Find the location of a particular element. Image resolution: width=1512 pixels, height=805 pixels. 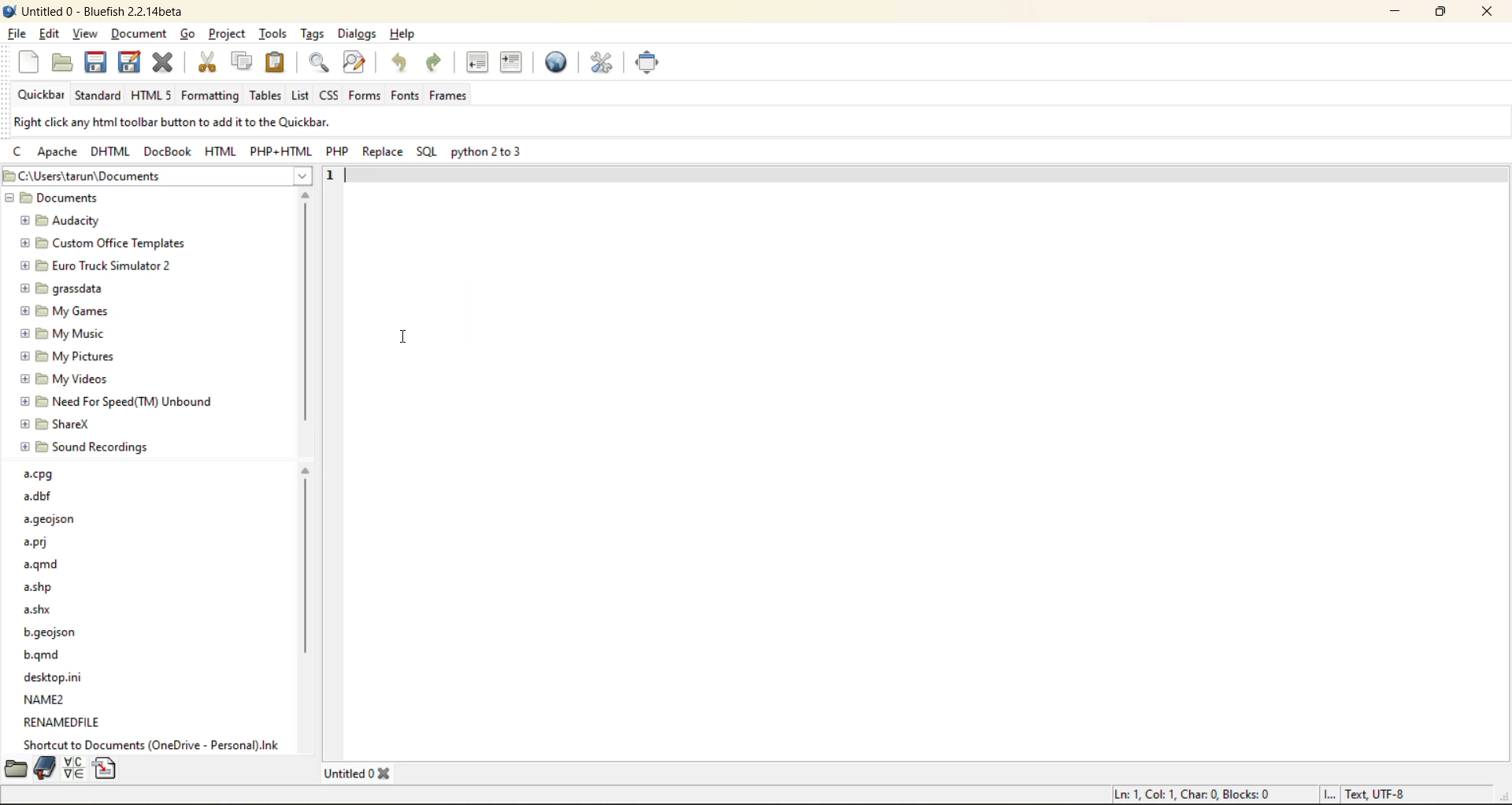

preview in browser is located at coordinates (558, 63).